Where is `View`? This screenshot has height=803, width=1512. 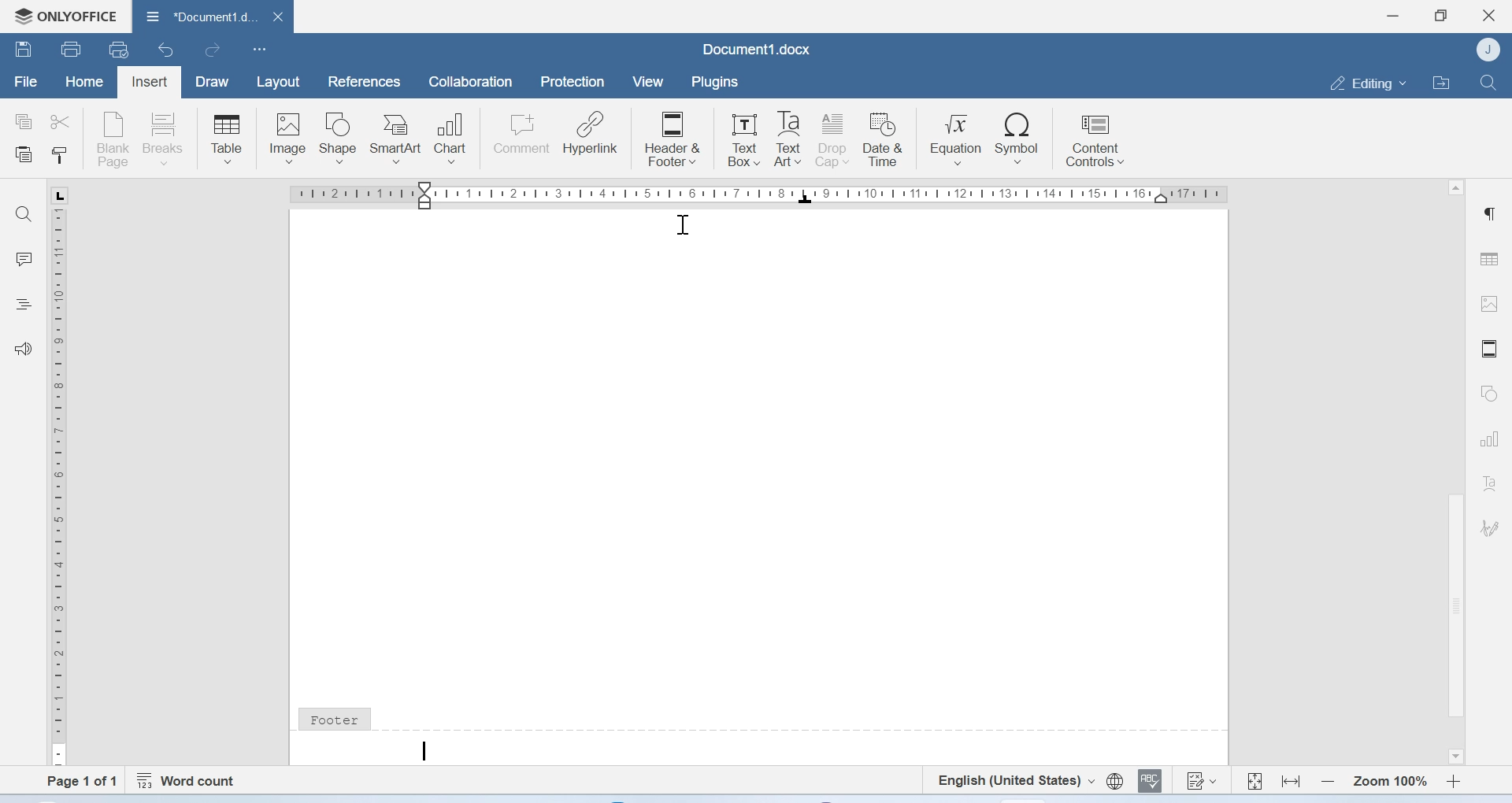
View is located at coordinates (650, 82).